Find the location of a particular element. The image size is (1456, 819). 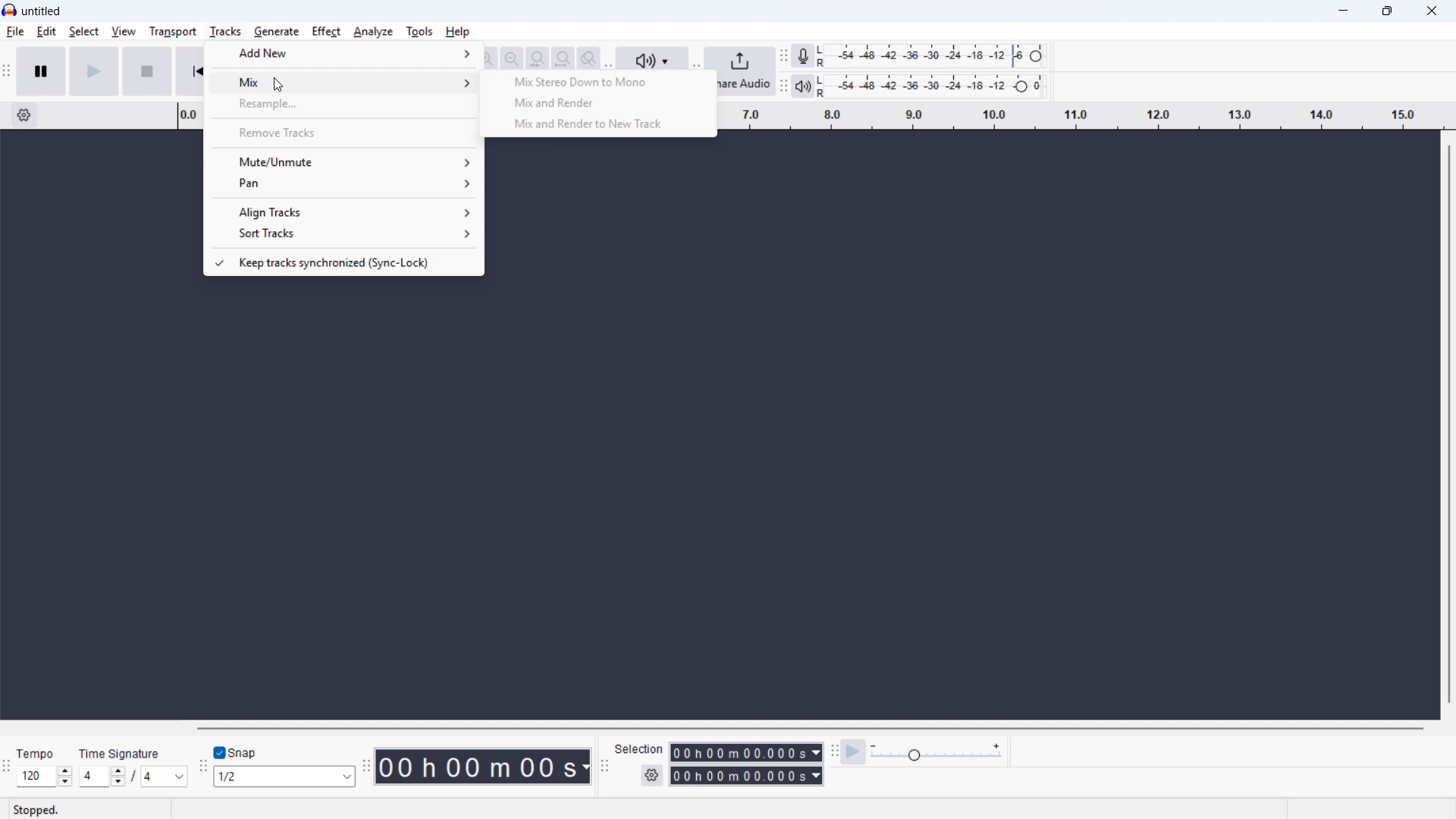

time signature is located at coordinates (120, 754).